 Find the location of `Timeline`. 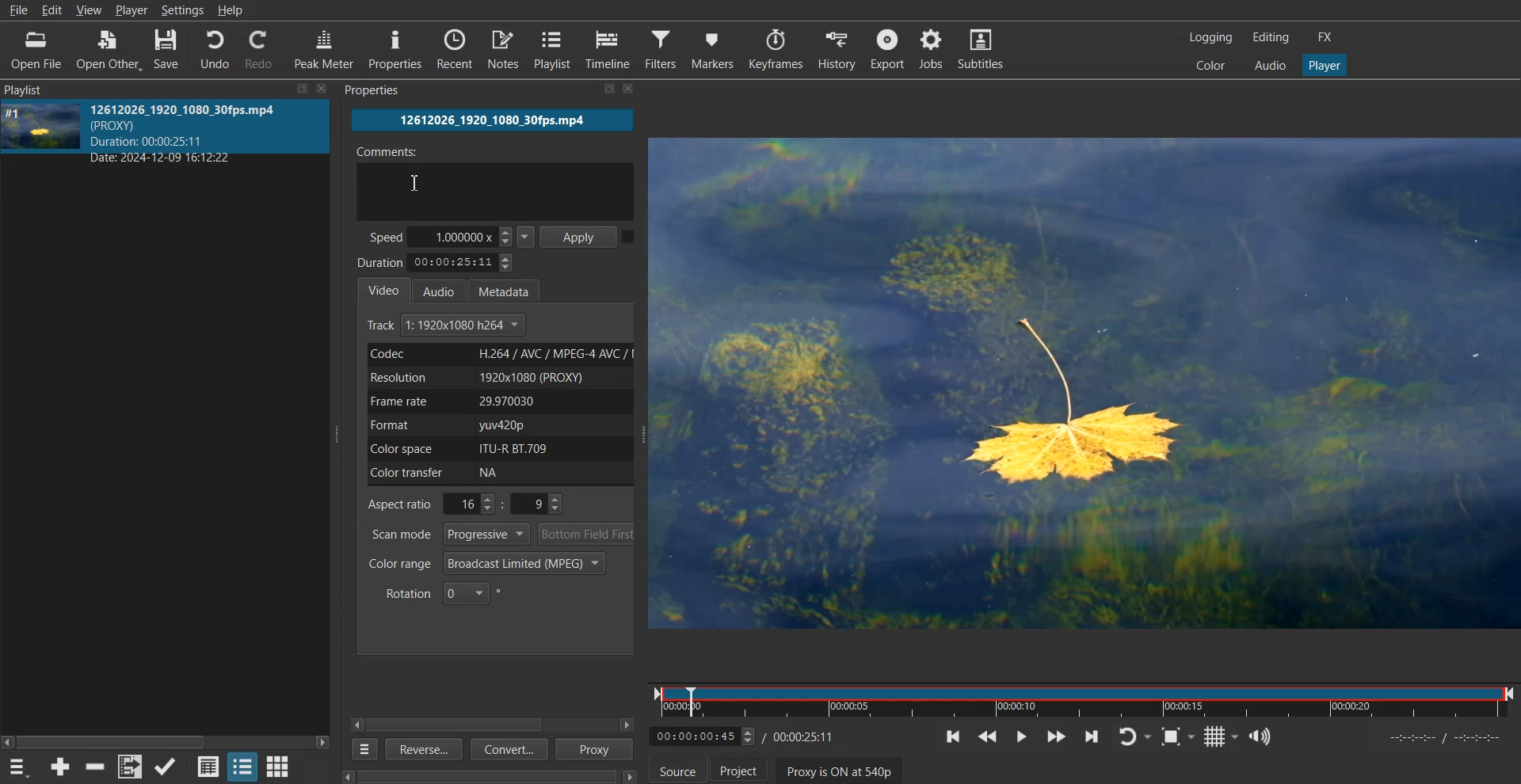

Timeline is located at coordinates (609, 49).